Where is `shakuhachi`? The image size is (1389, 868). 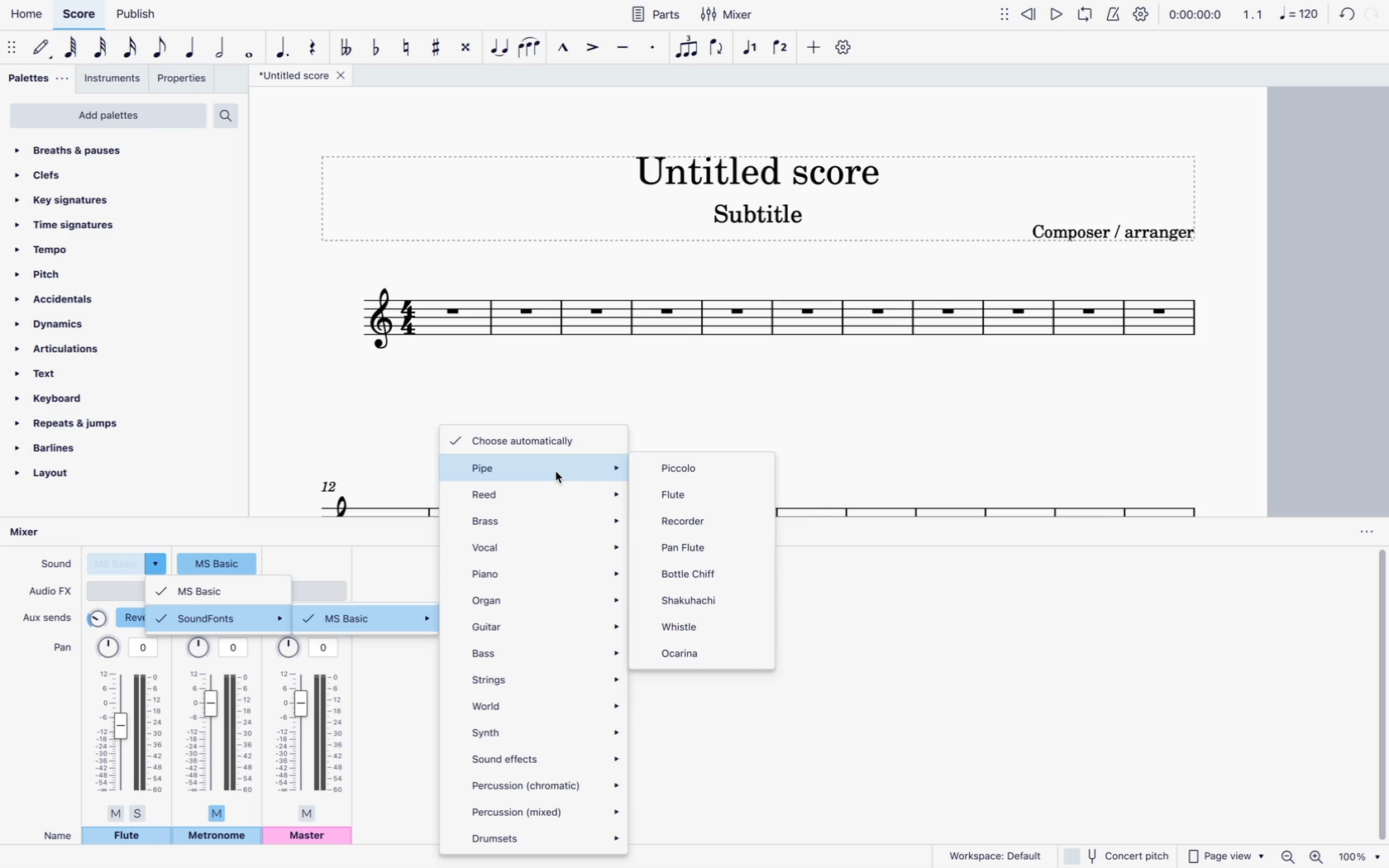 shakuhachi is located at coordinates (693, 602).